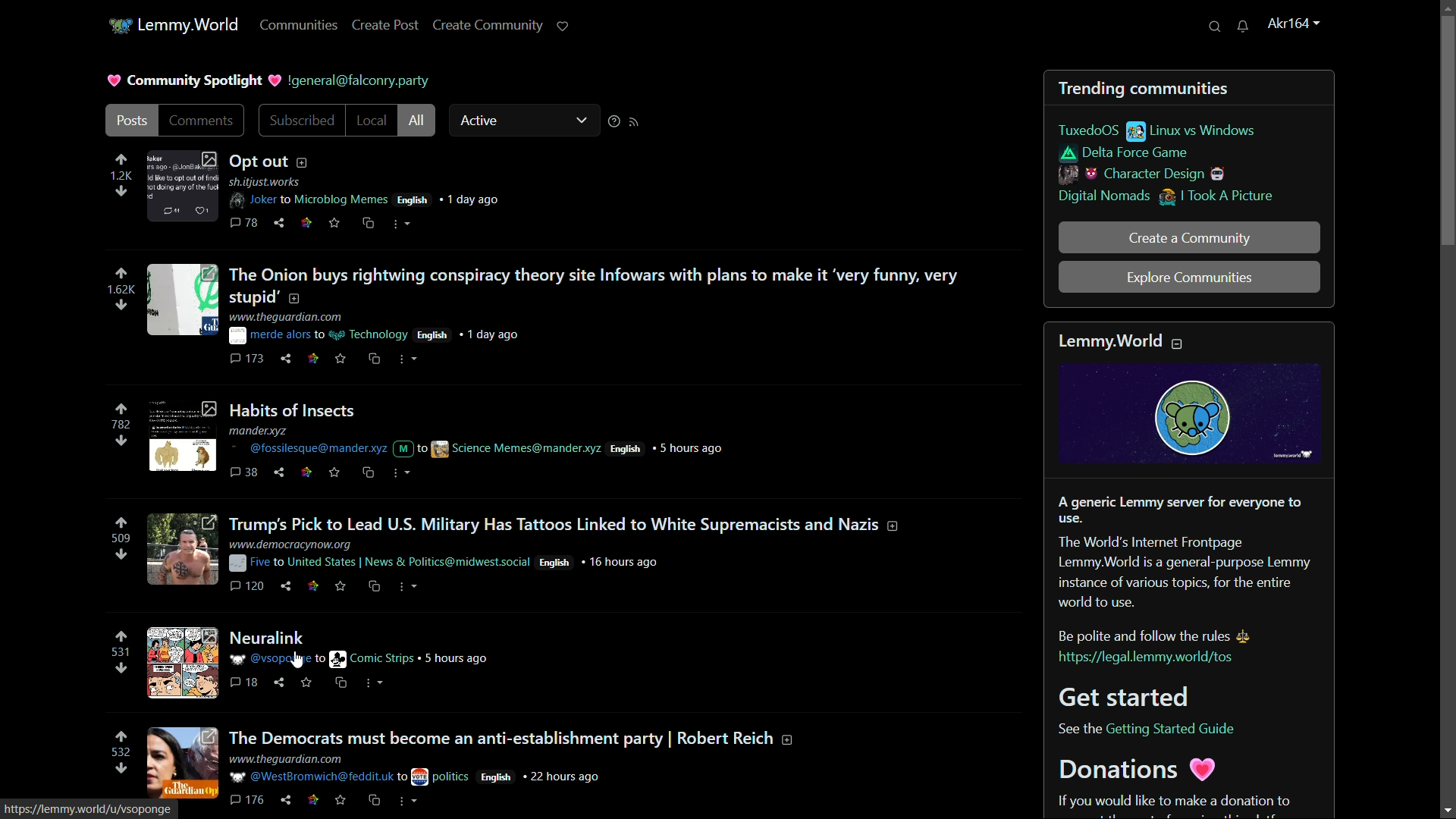 The image size is (1456, 819). What do you see at coordinates (335, 224) in the screenshot?
I see `save` at bounding box center [335, 224].